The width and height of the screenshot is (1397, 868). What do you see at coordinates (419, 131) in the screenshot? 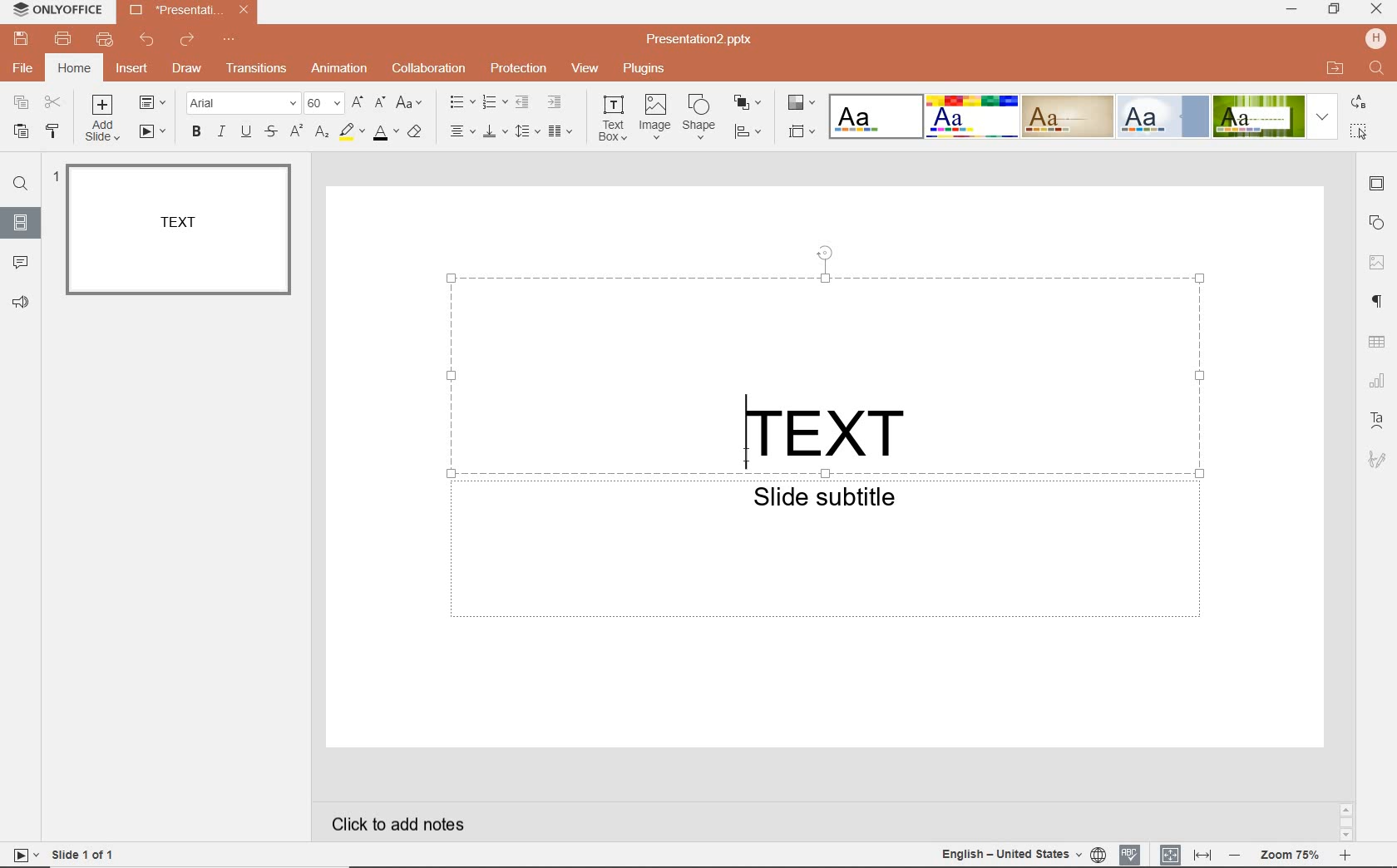
I see `CLEAR STYLE` at bounding box center [419, 131].